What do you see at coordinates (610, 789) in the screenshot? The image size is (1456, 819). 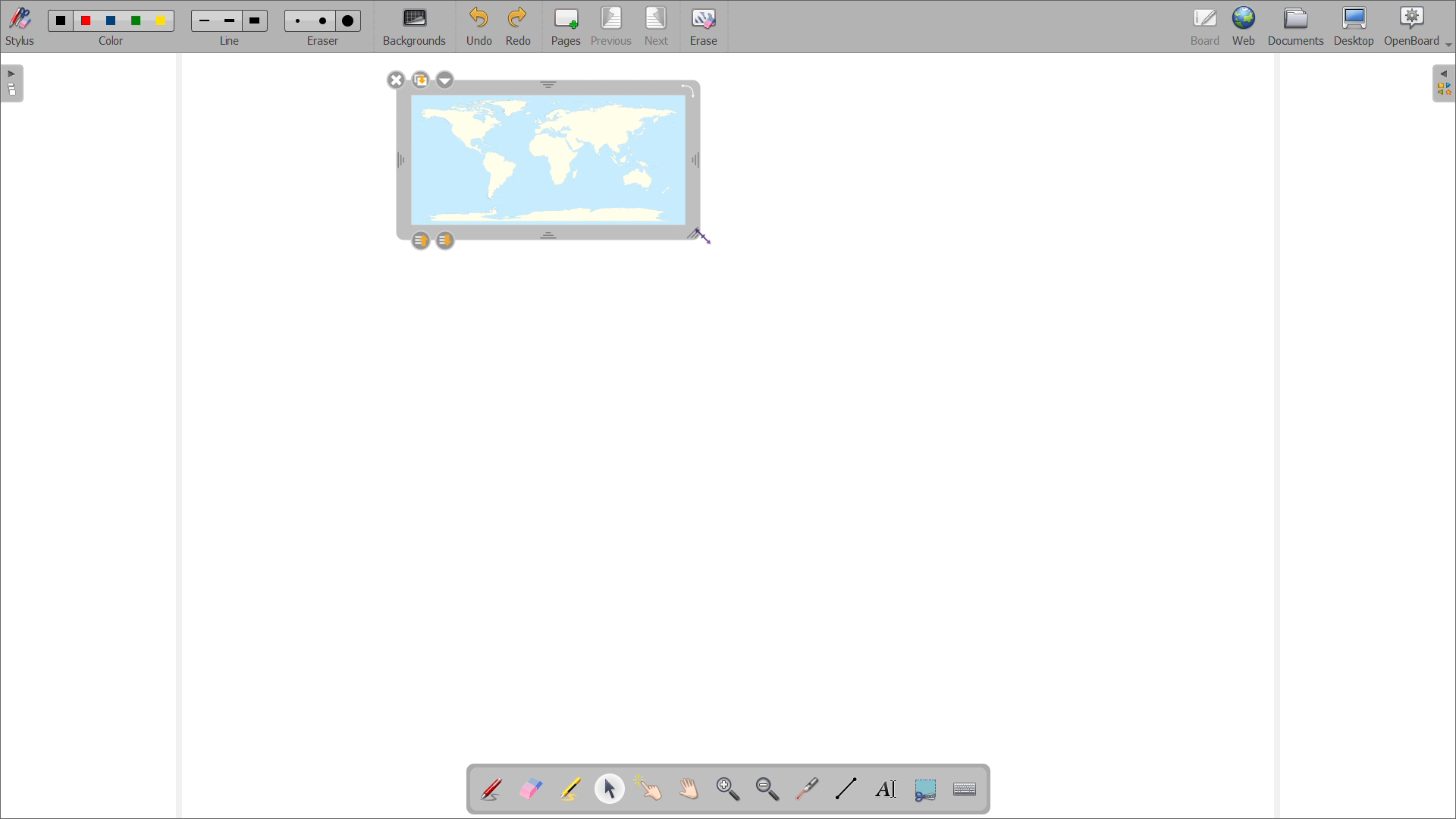 I see `select and modify object` at bounding box center [610, 789].